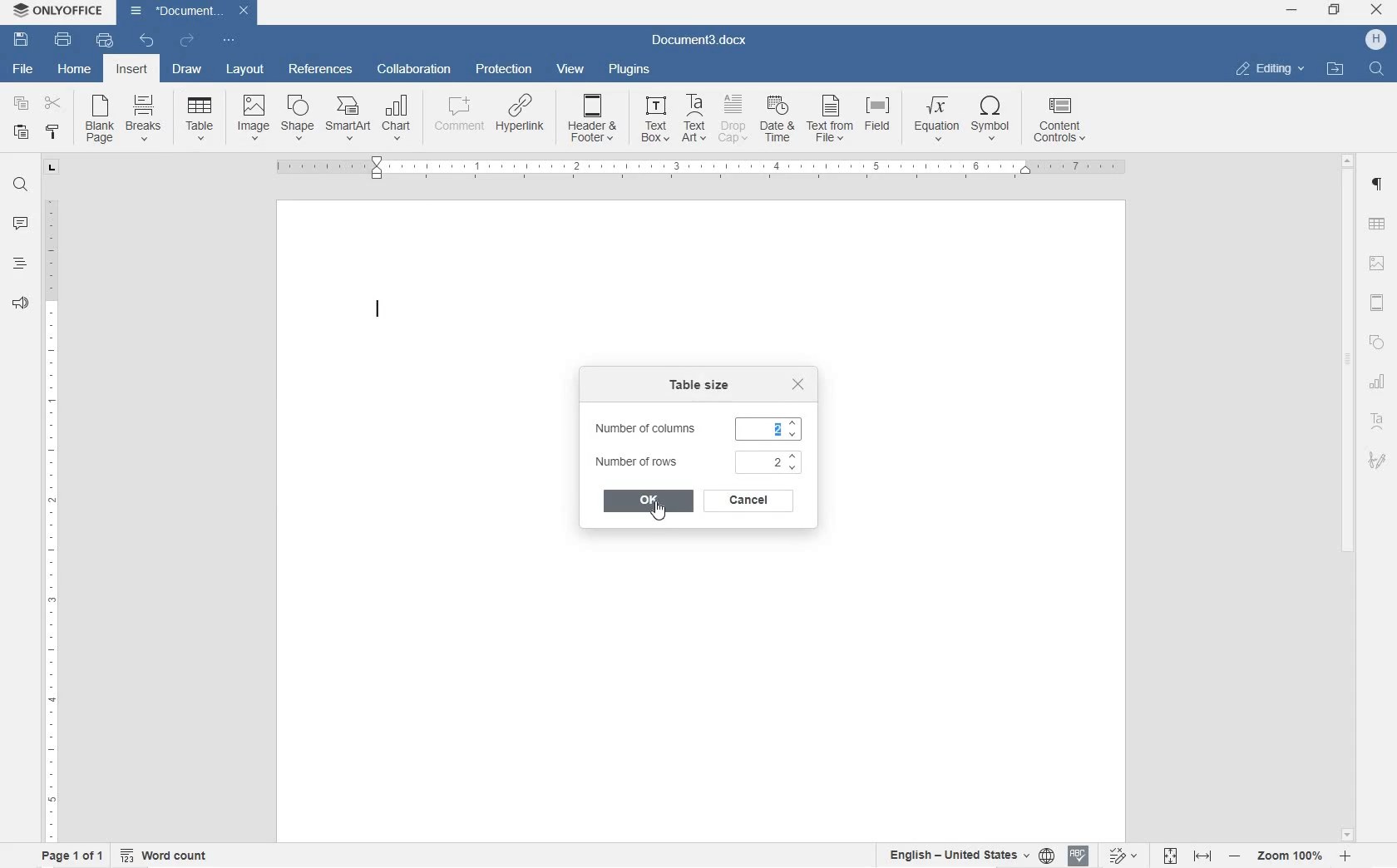  I want to click on LAYOUT, so click(246, 71).